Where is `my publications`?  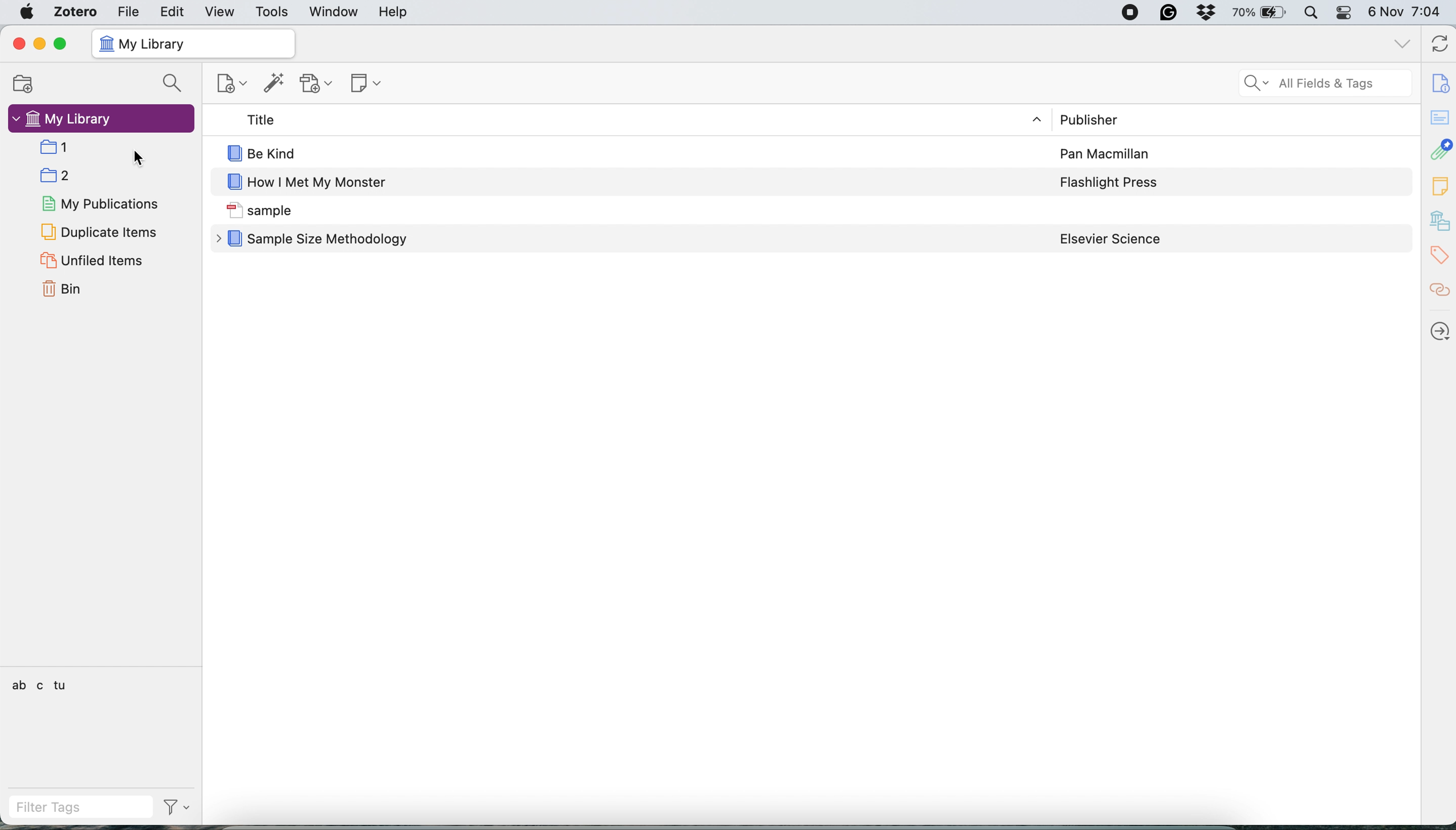 my publications is located at coordinates (103, 205).